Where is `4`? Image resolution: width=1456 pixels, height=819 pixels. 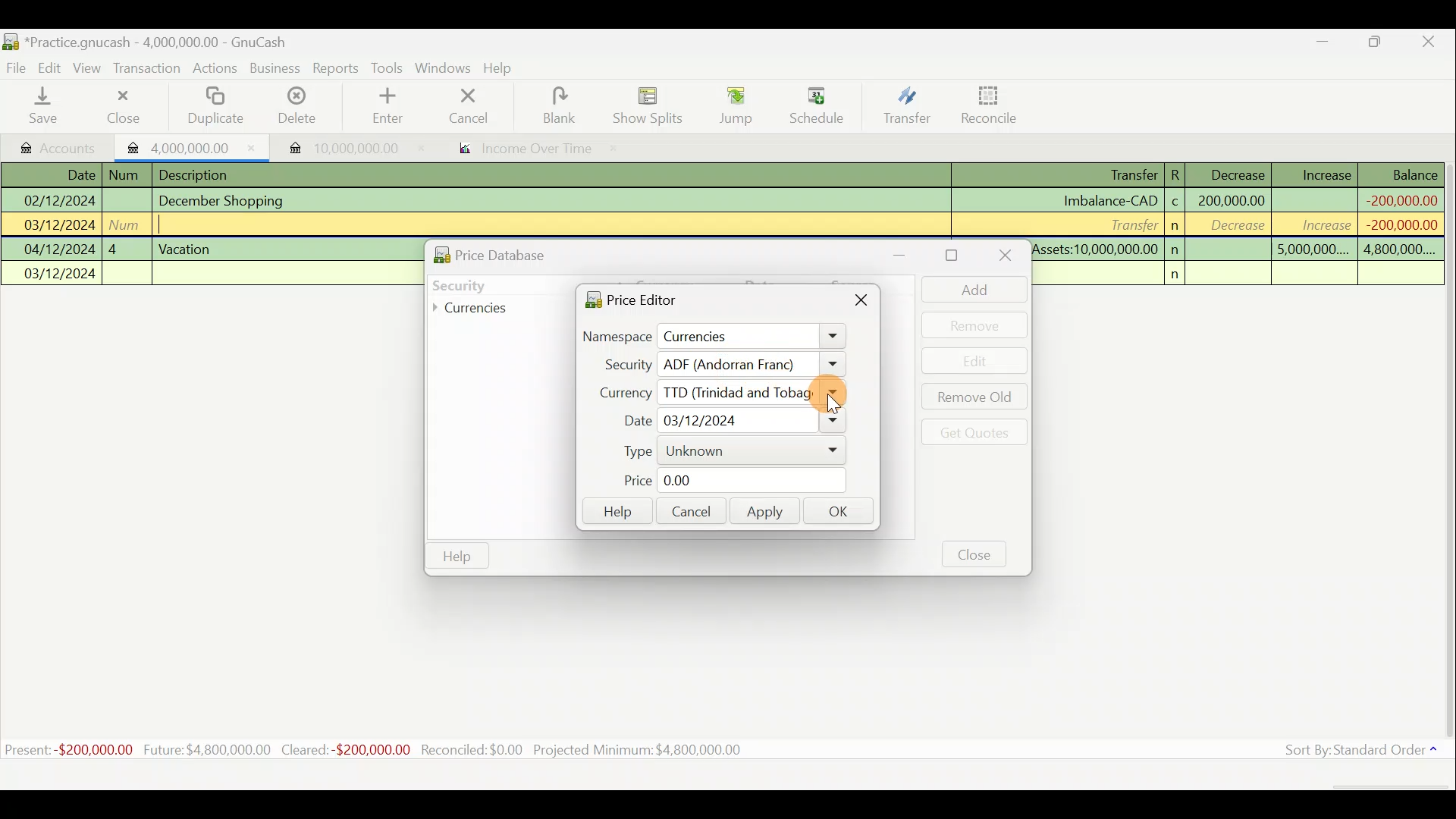
4 is located at coordinates (126, 247).